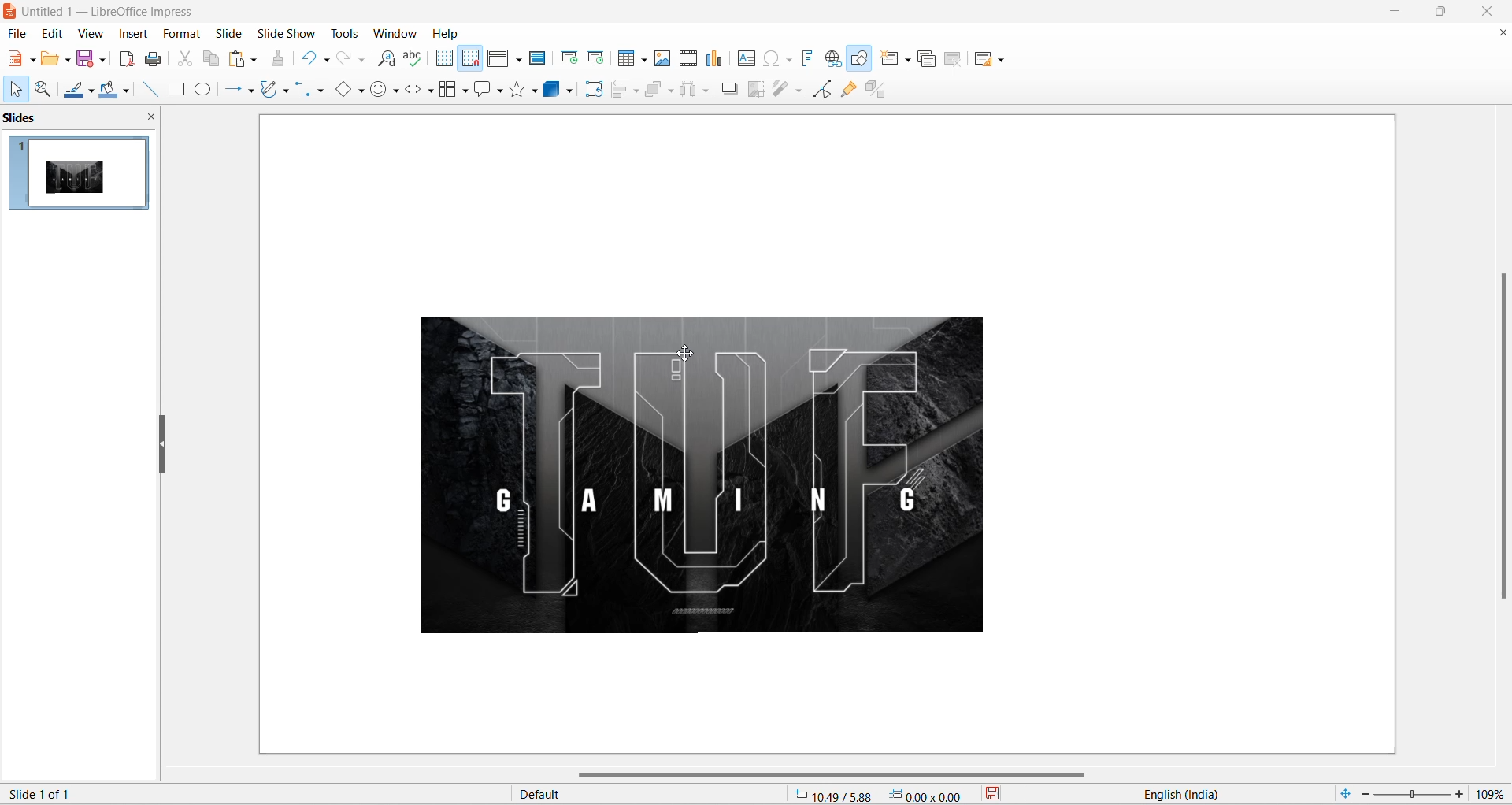 The width and height of the screenshot is (1512, 805). What do you see at coordinates (270, 91) in the screenshot?
I see `curve and polygons` at bounding box center [270, 91].